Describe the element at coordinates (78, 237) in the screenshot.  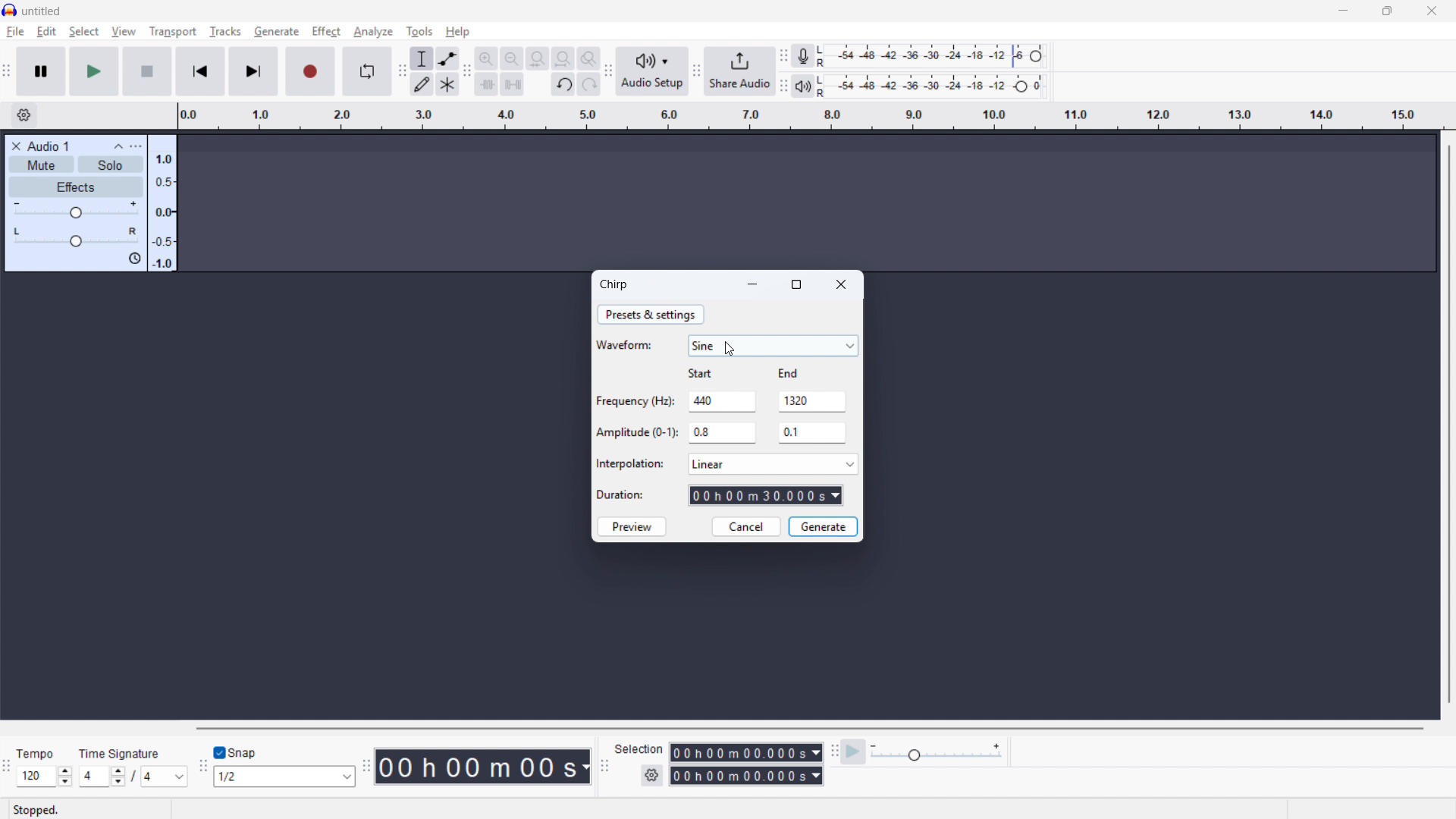
I see `pan: Centre` at that location.